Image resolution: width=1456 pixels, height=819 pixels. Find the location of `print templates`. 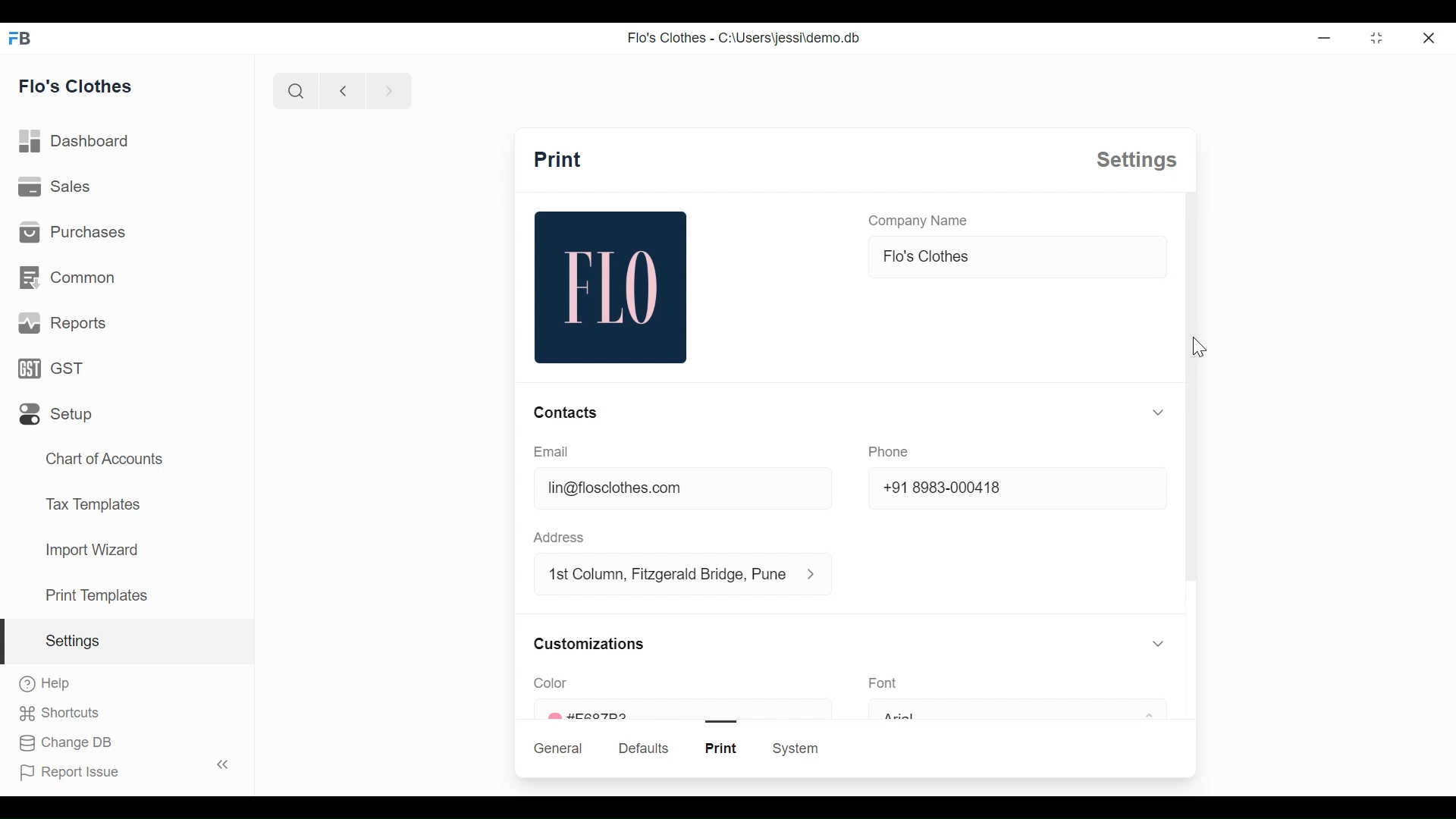

print templates is located at coordinates (97, 595).